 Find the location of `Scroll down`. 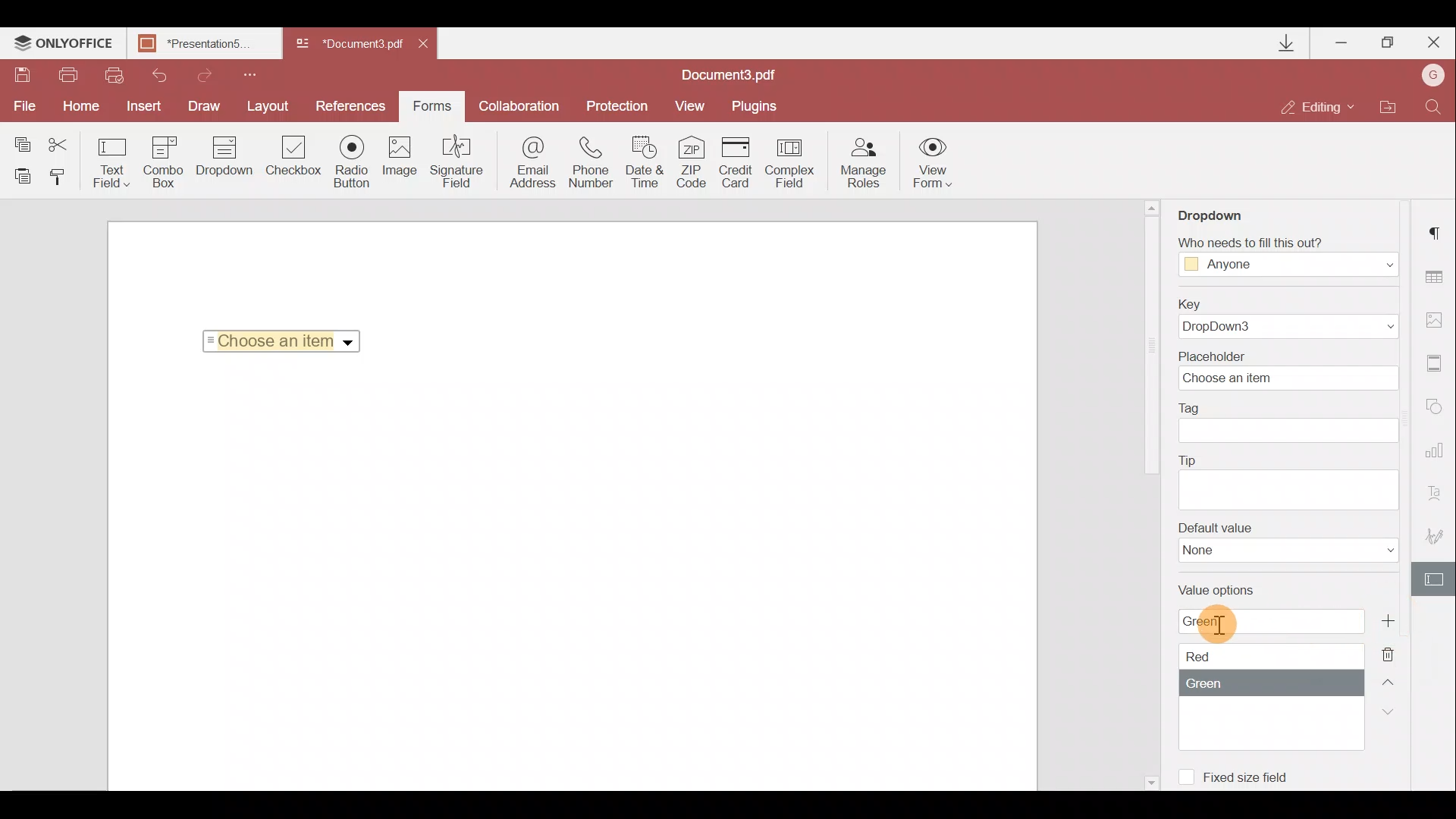

Scroll down is located at coordinates (1150, 780).